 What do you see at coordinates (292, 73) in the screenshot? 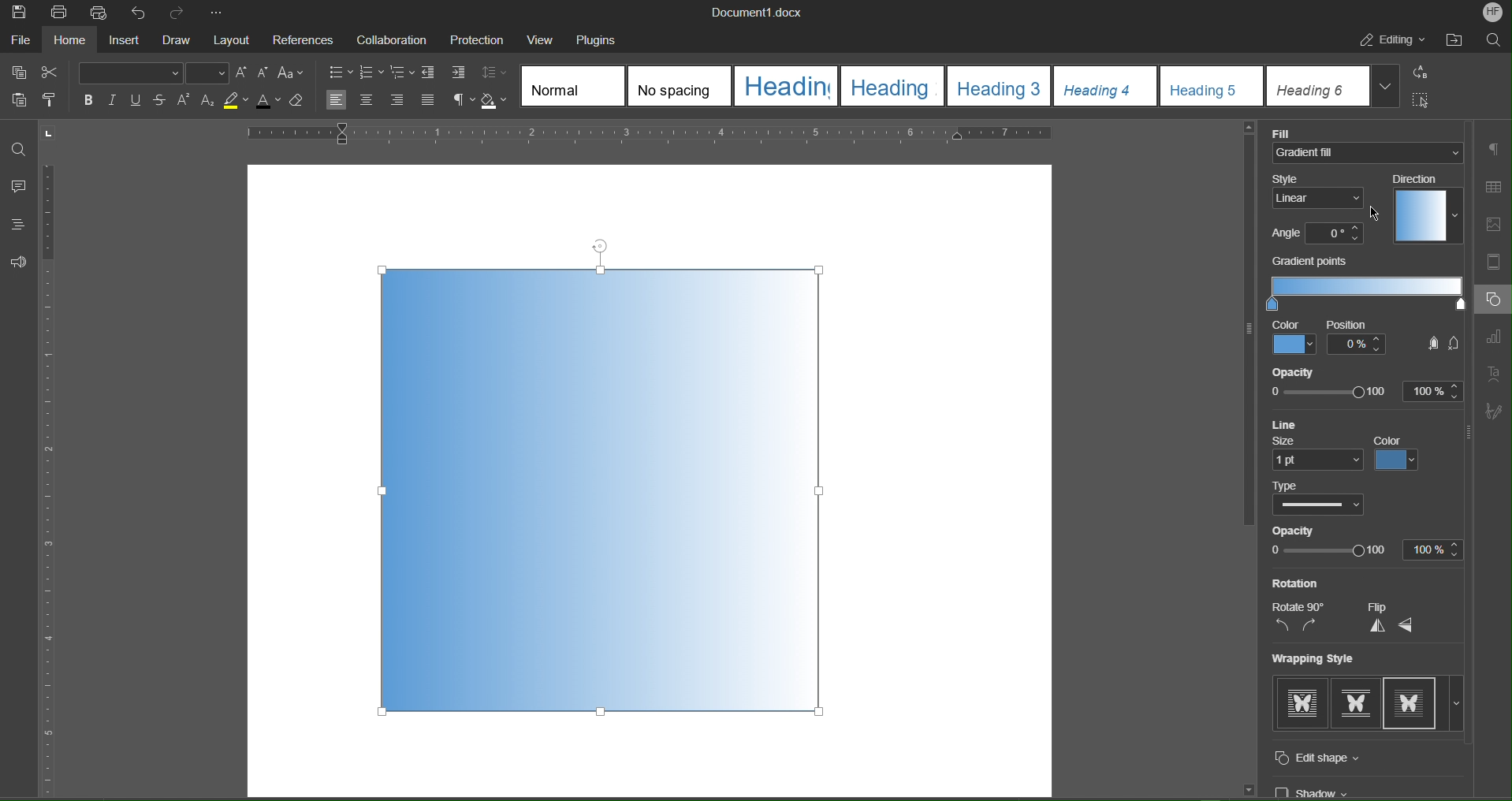
I see `Shift font case` at bounding box center [292, 73].